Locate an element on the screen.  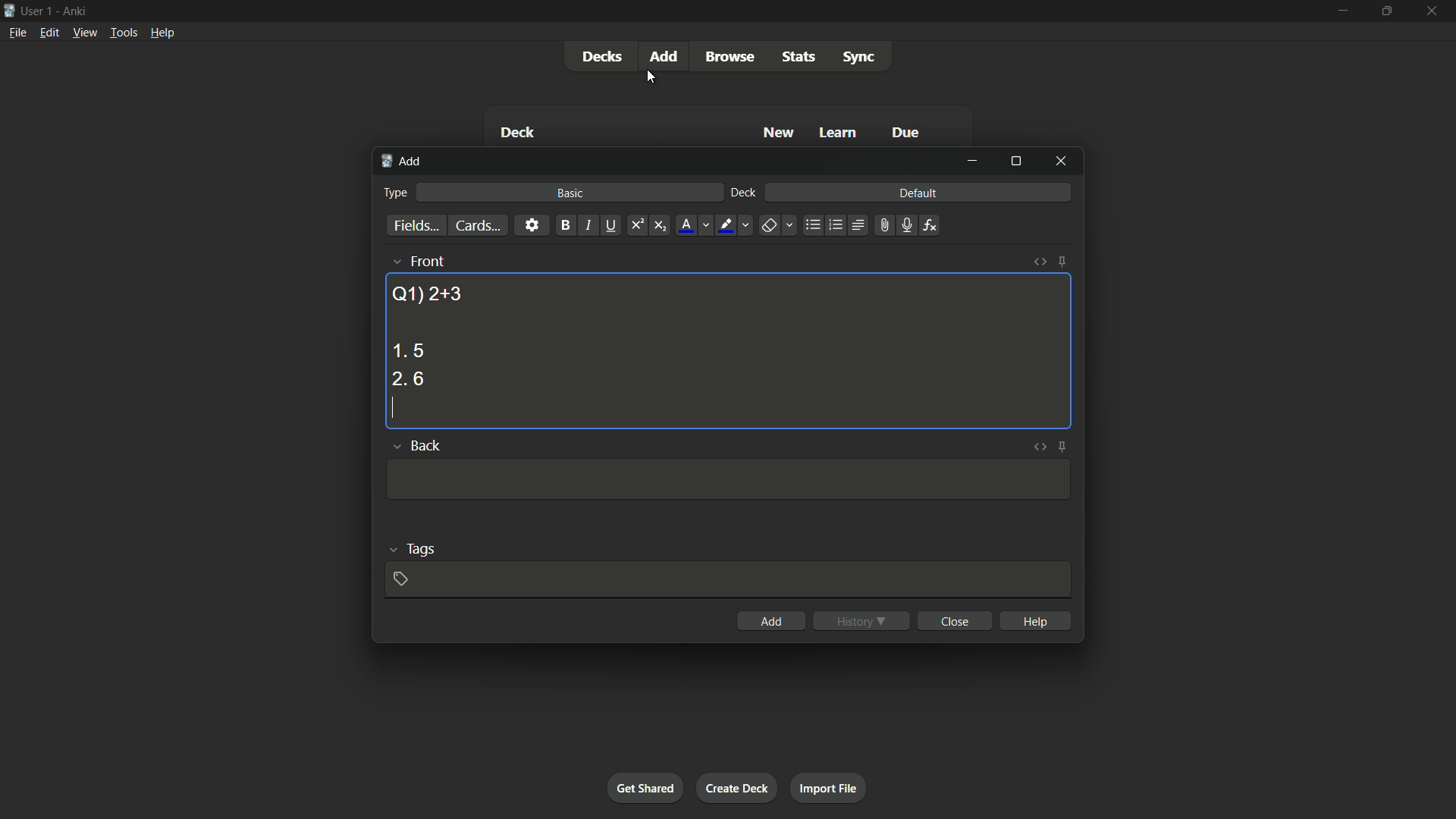
toggle html editor is located at coordinates (1040, 262).